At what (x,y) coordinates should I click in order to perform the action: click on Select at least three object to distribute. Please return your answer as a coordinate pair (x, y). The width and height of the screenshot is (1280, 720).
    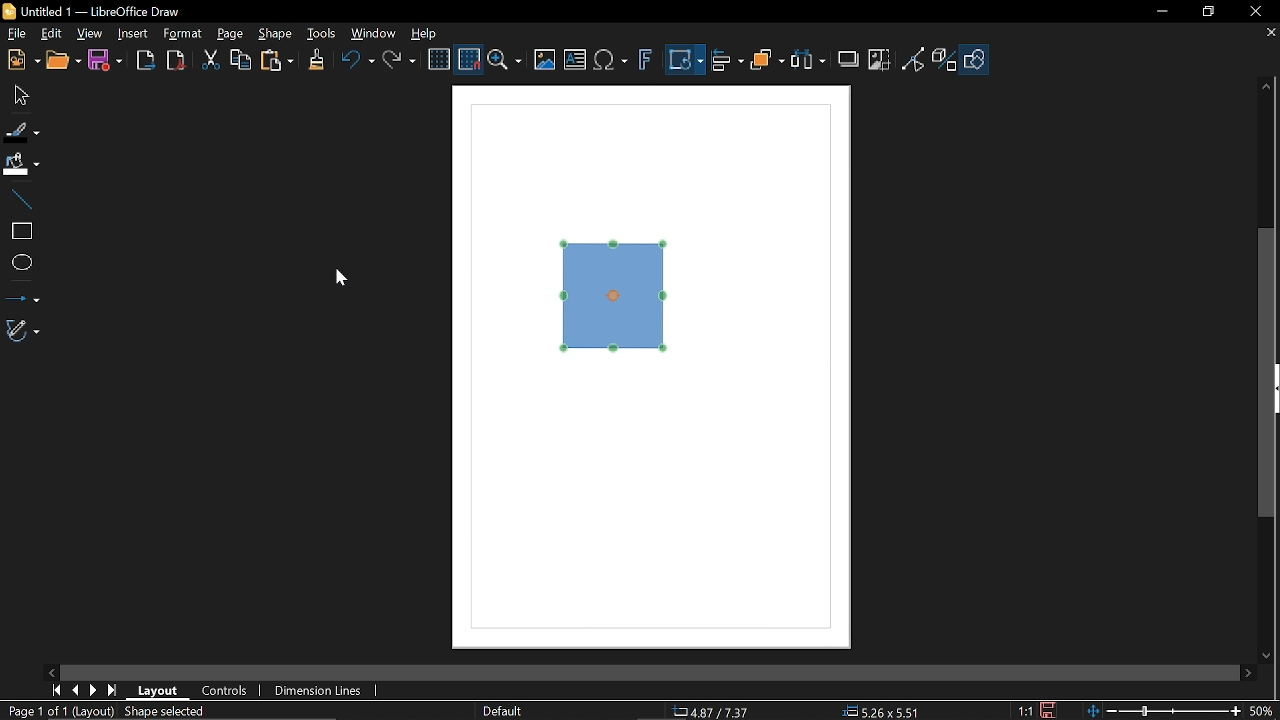
    Looking at the image, I should click on (809, 62).